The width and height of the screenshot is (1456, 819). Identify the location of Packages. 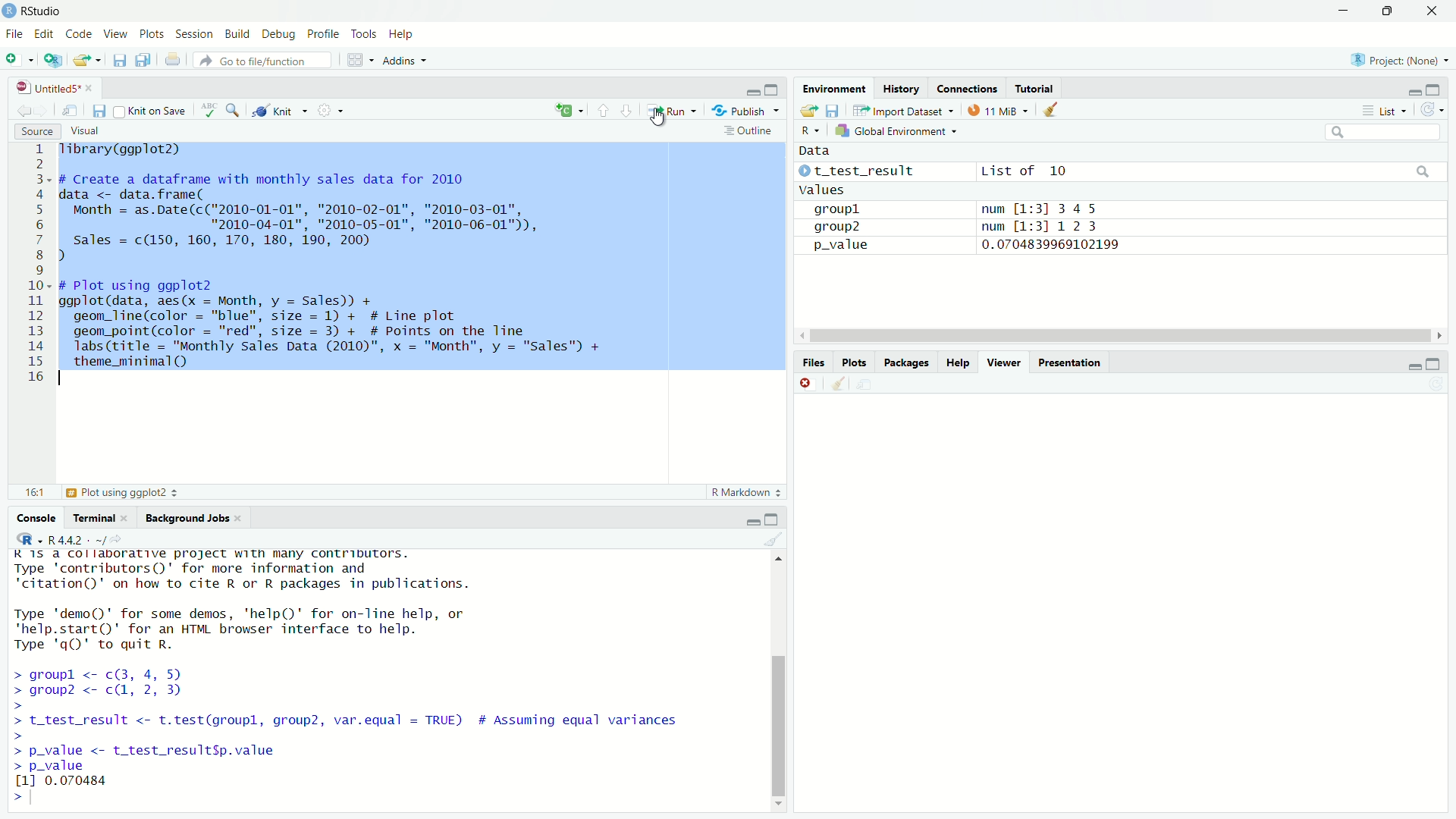
(908, 361).